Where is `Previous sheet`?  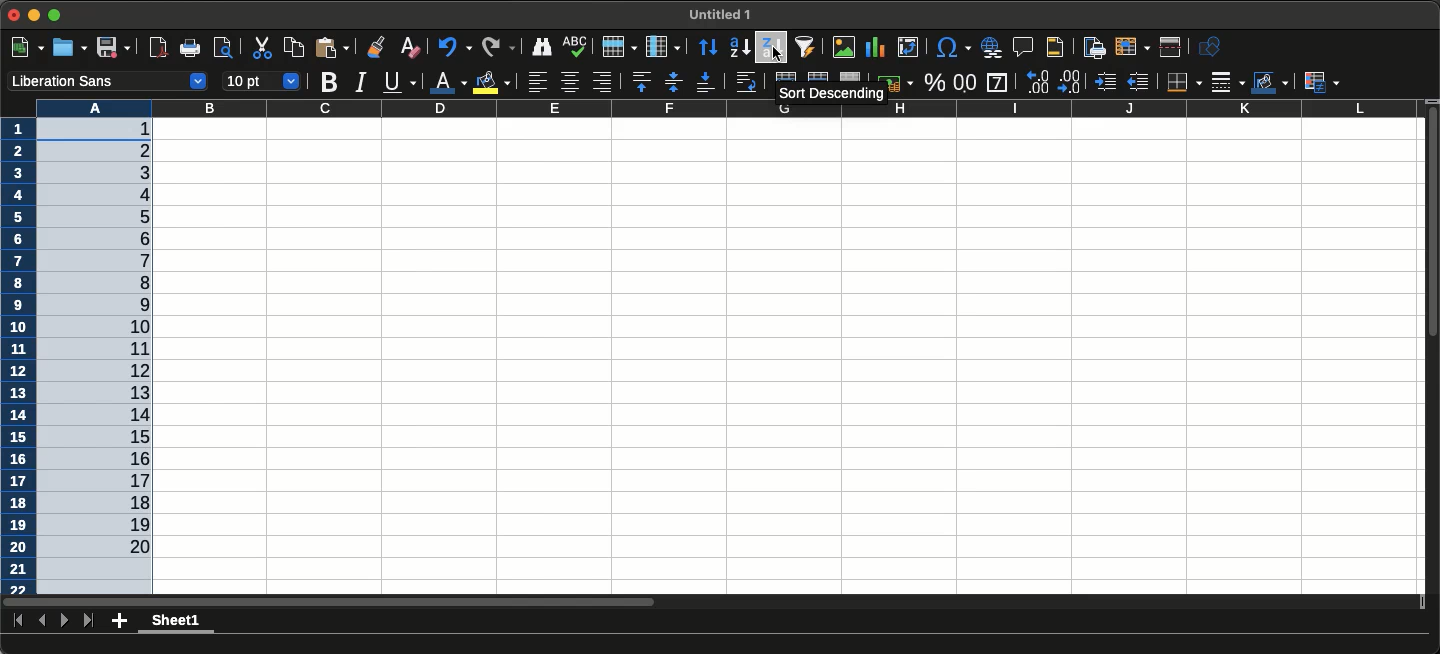
Previous sheet is located at coordinates (44, 620).